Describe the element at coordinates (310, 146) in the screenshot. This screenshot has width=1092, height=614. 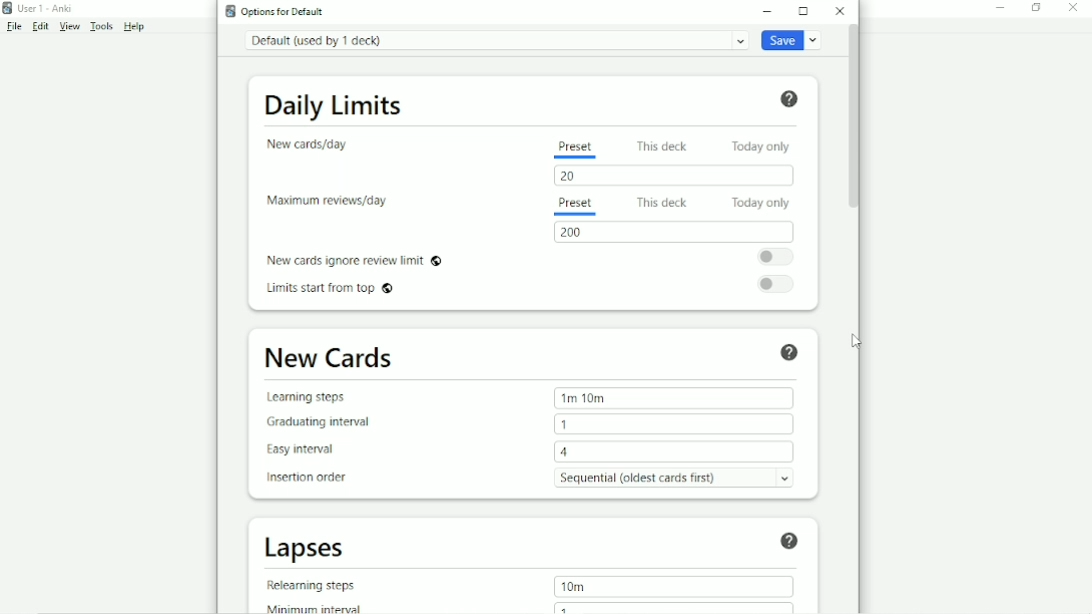
I see `New cards/day` at that location.